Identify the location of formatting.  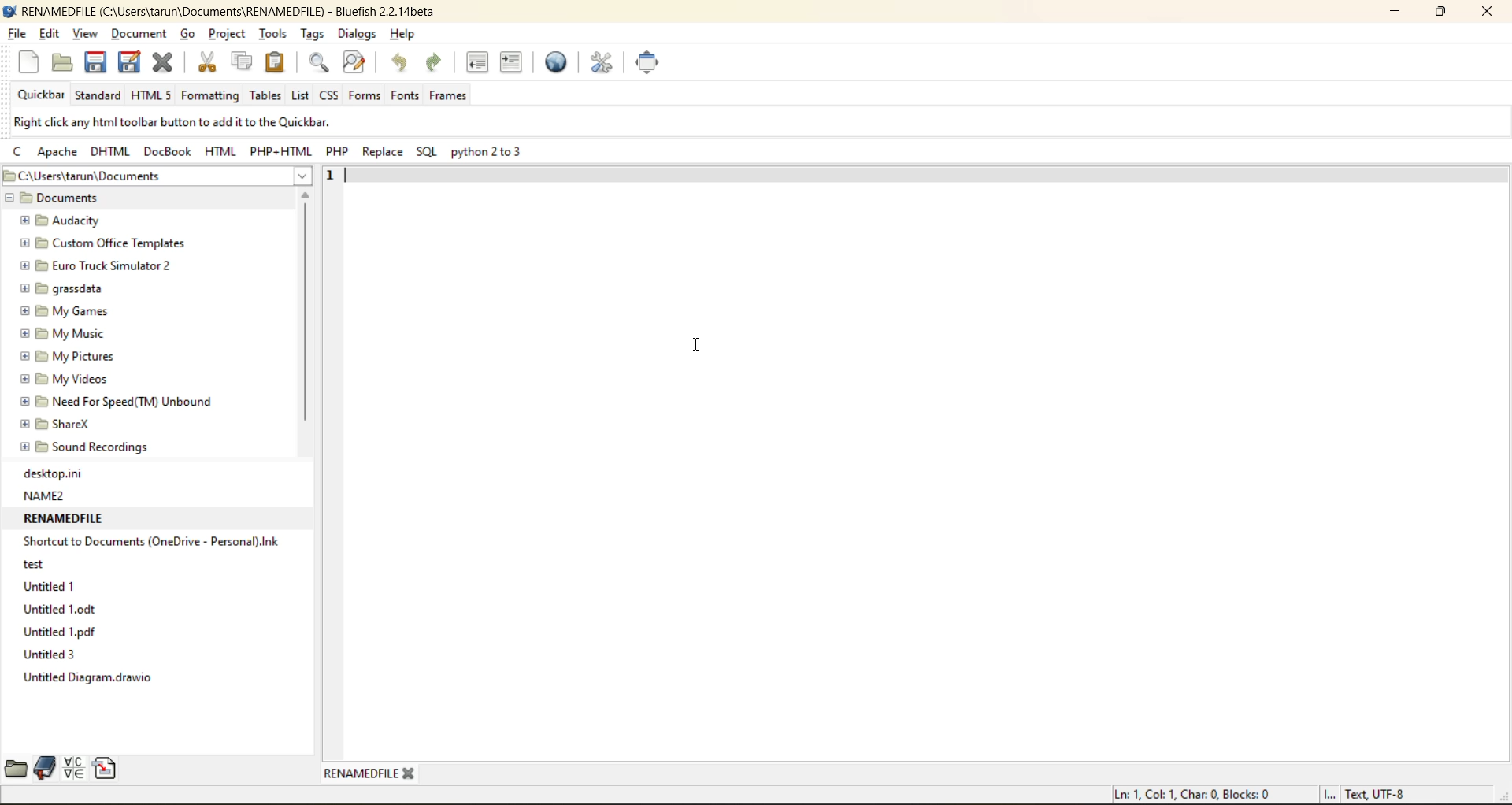
(211, 97).